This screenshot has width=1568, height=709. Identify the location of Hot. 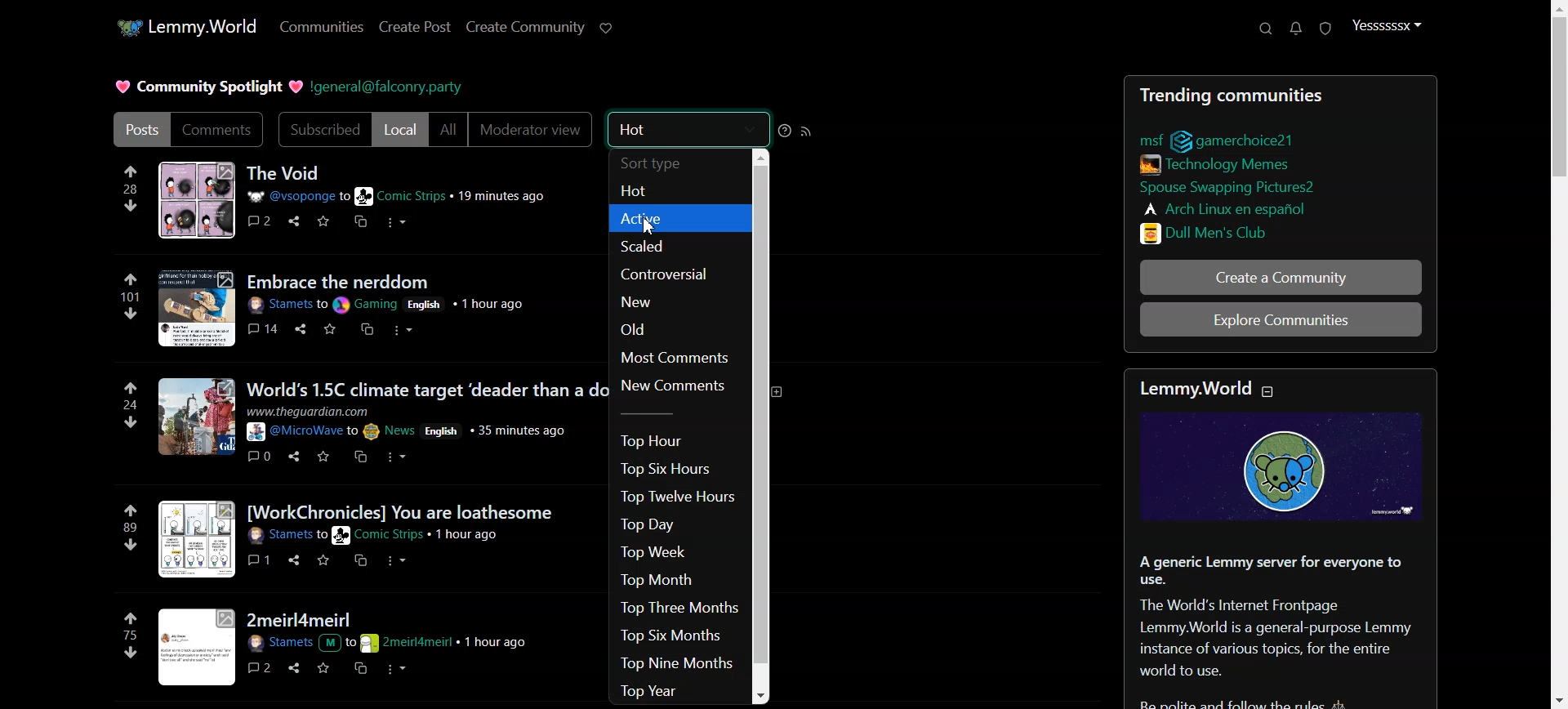
(687, 128).